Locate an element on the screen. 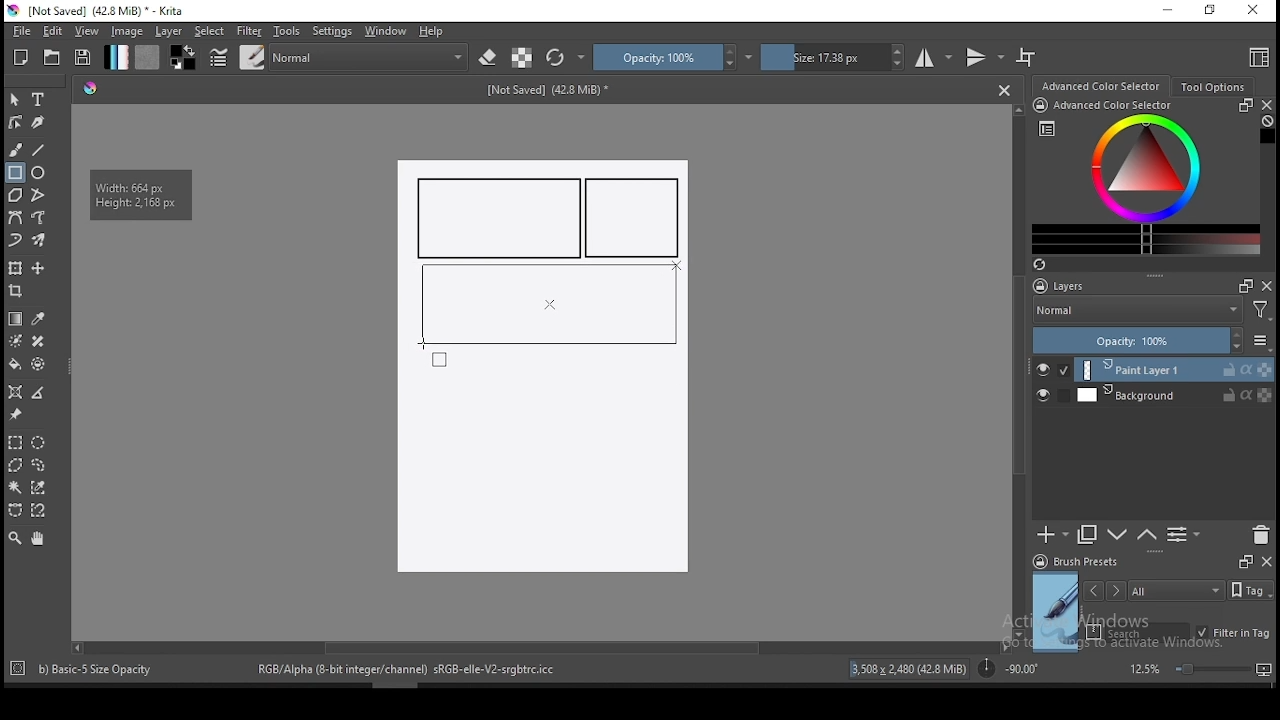 The image size is (1280, 720). ellipse tool is located at coordinates (39, 171).